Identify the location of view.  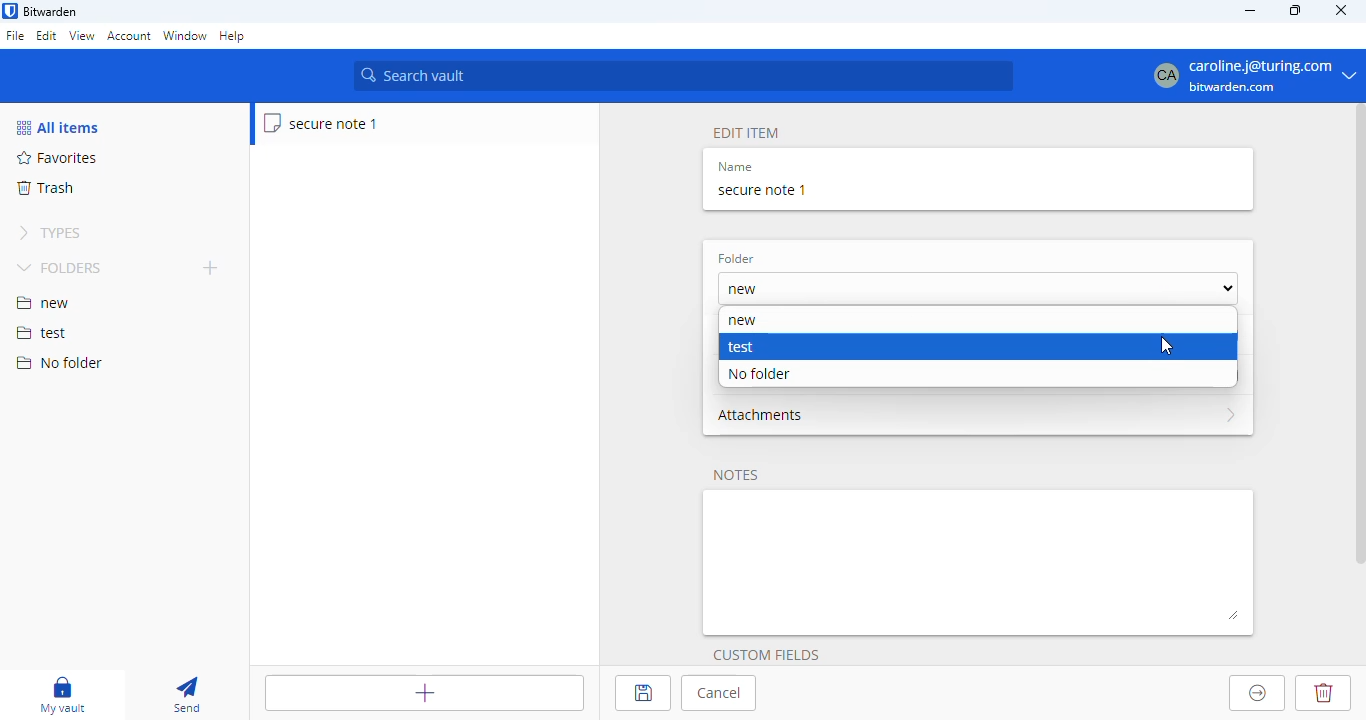
(81, 35).